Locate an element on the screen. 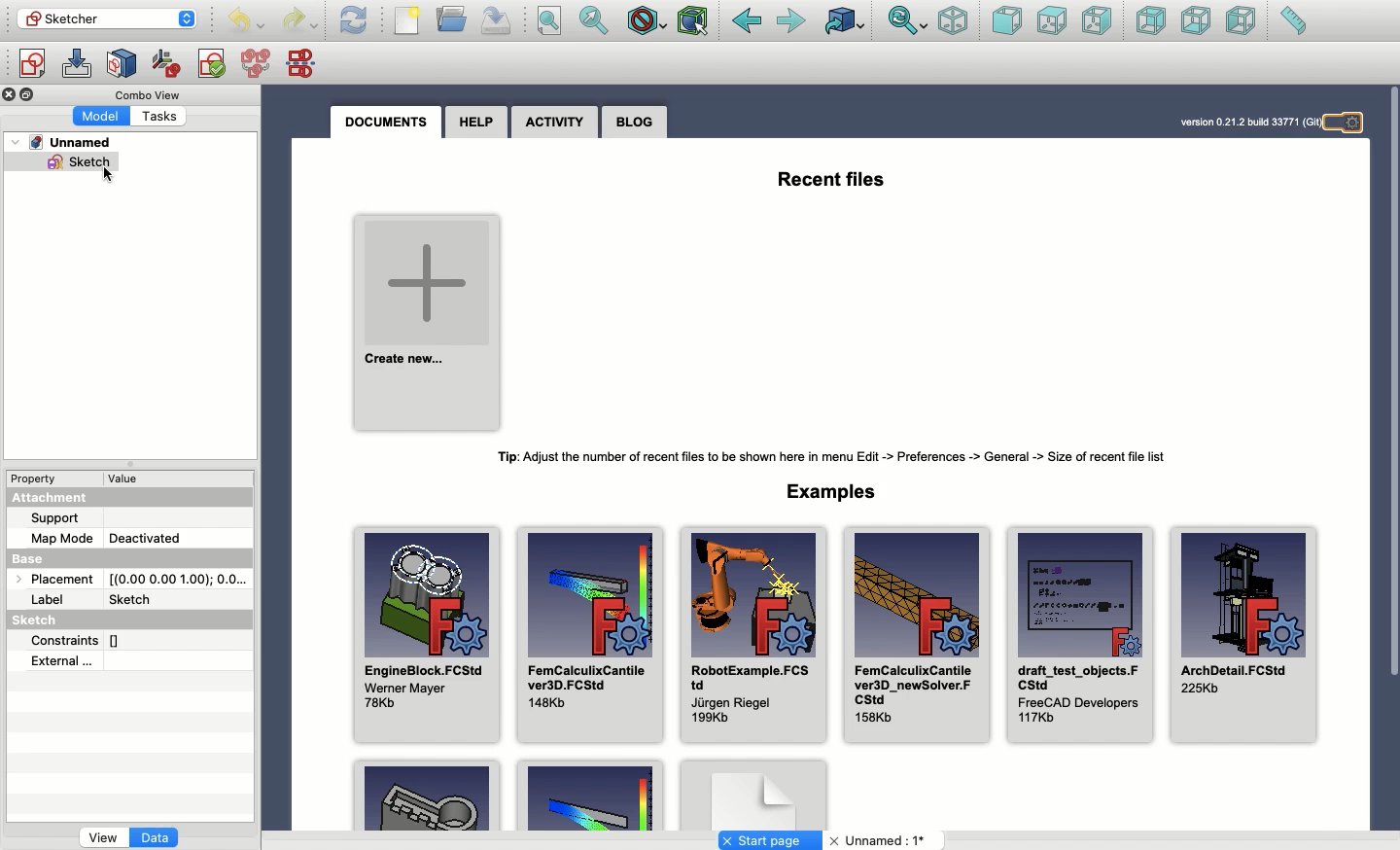 This screenshot has height=850, width=1400. Go to linked object is located at coordinates (846, 20).